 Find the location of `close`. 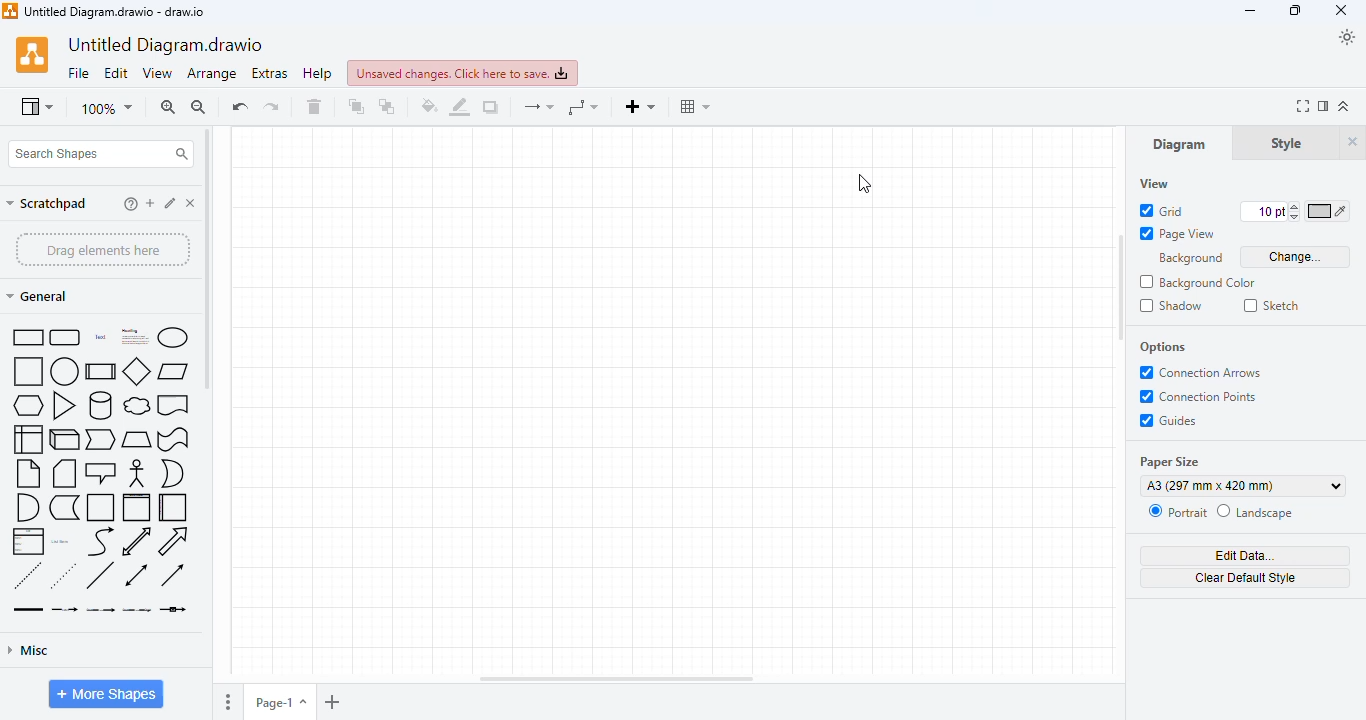

close is located at coordinates (1341, 10).